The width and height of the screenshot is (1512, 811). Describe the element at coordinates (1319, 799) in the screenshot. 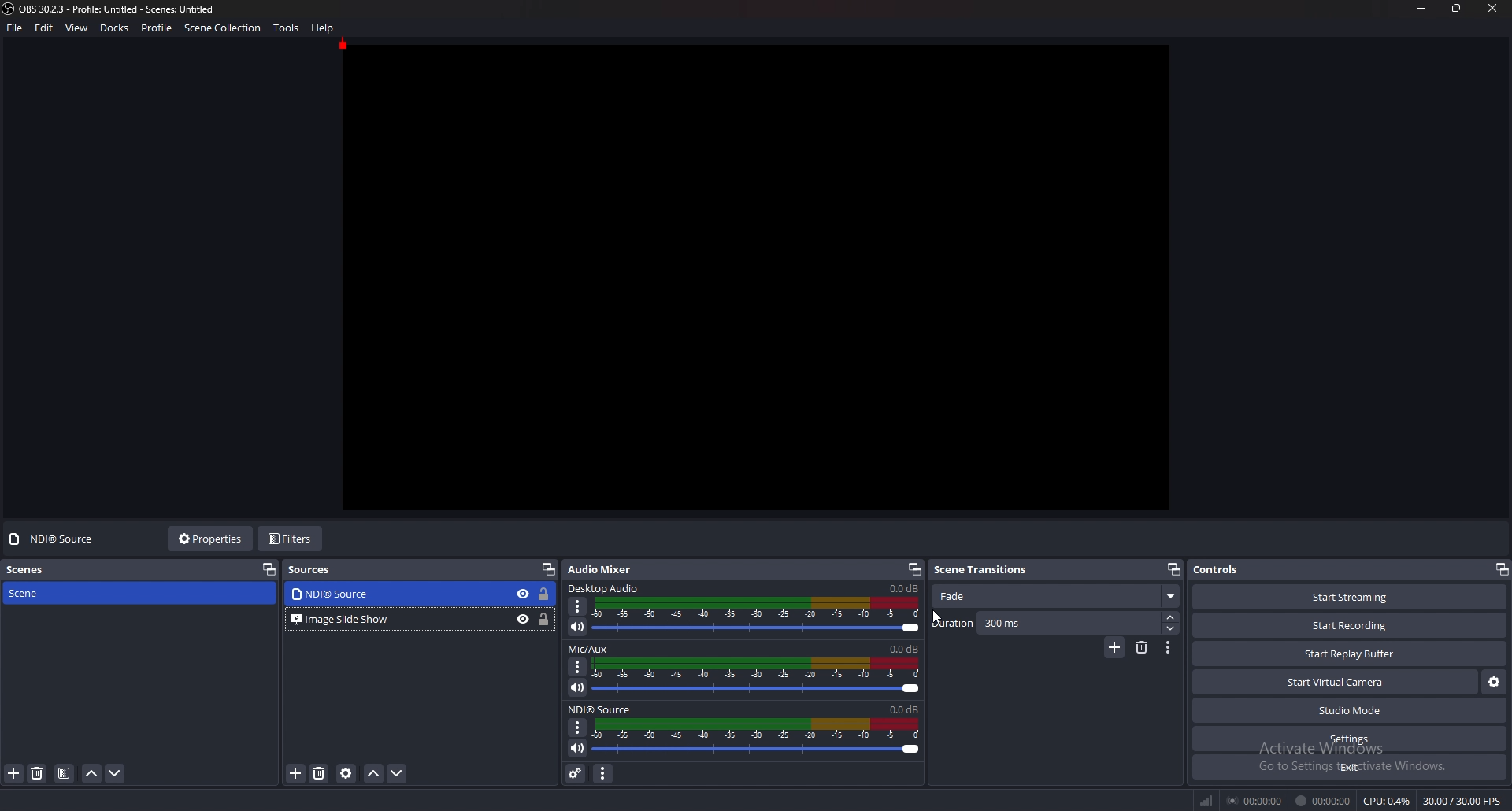

I see `Time` at that location.